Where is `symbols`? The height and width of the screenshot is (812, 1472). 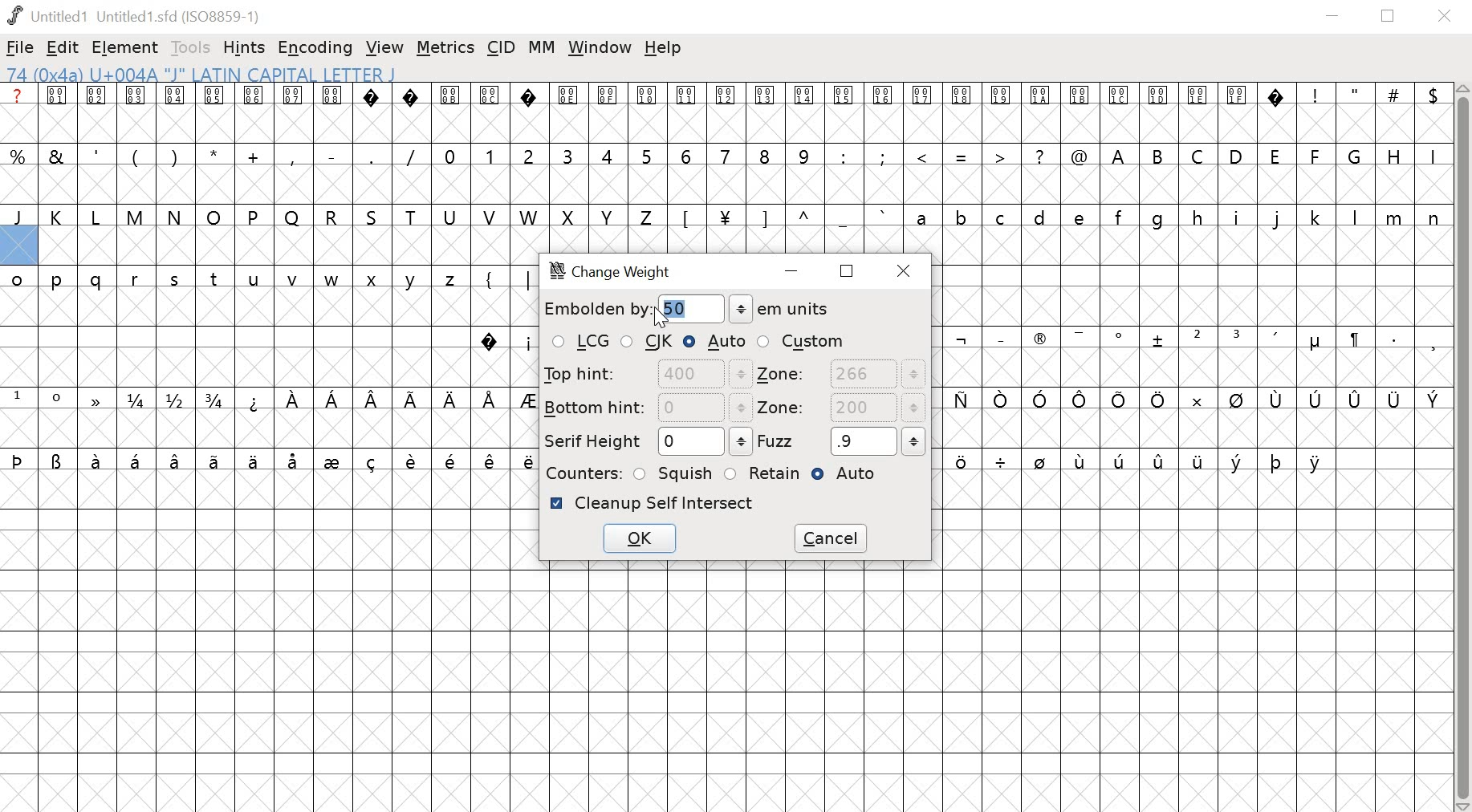
symbols is located at coordinates (504, 341).